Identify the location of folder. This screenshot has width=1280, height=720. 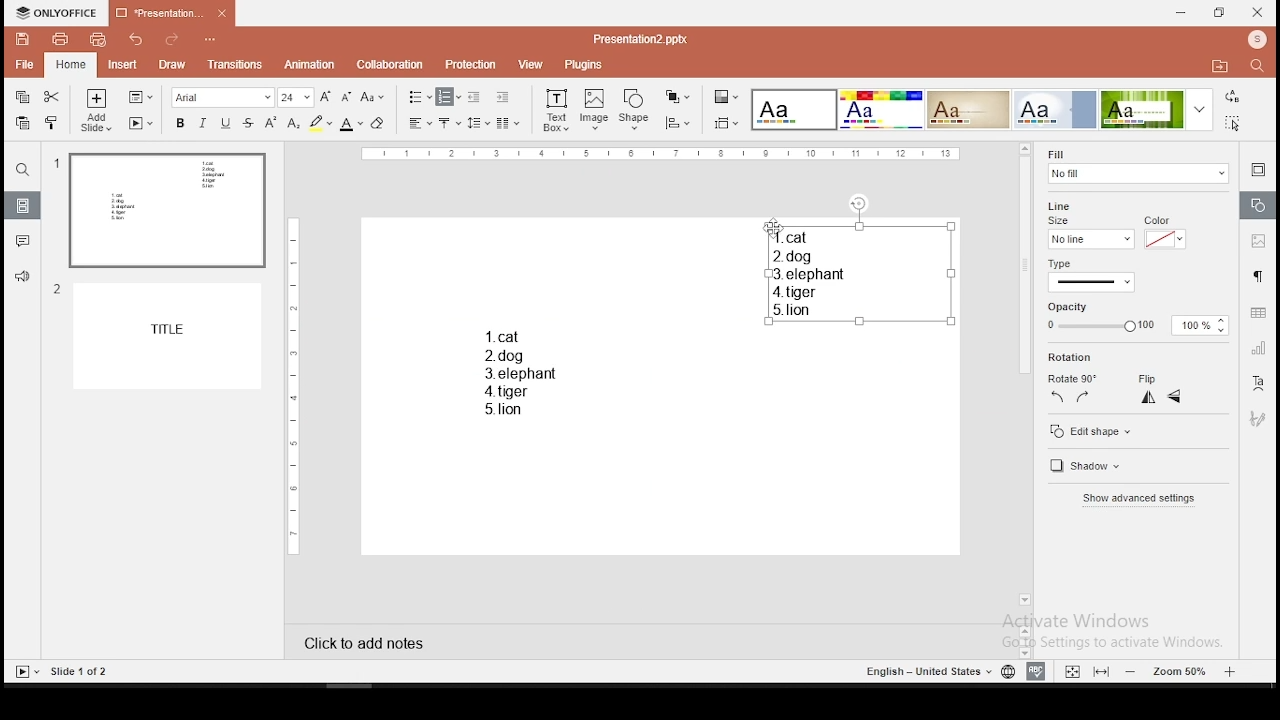
(1220, 65).